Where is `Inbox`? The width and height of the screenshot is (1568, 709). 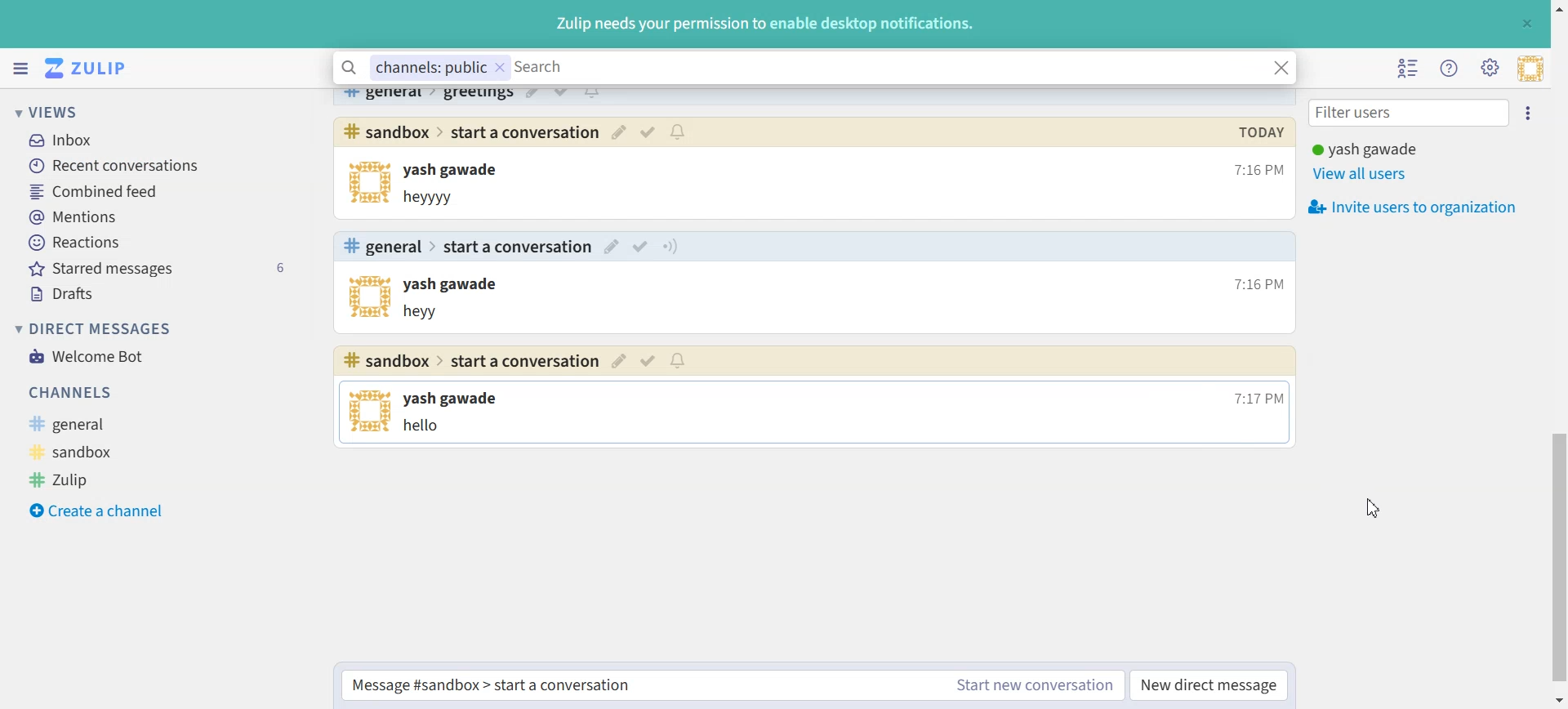 Inbox is located at coordinates (155, 138).